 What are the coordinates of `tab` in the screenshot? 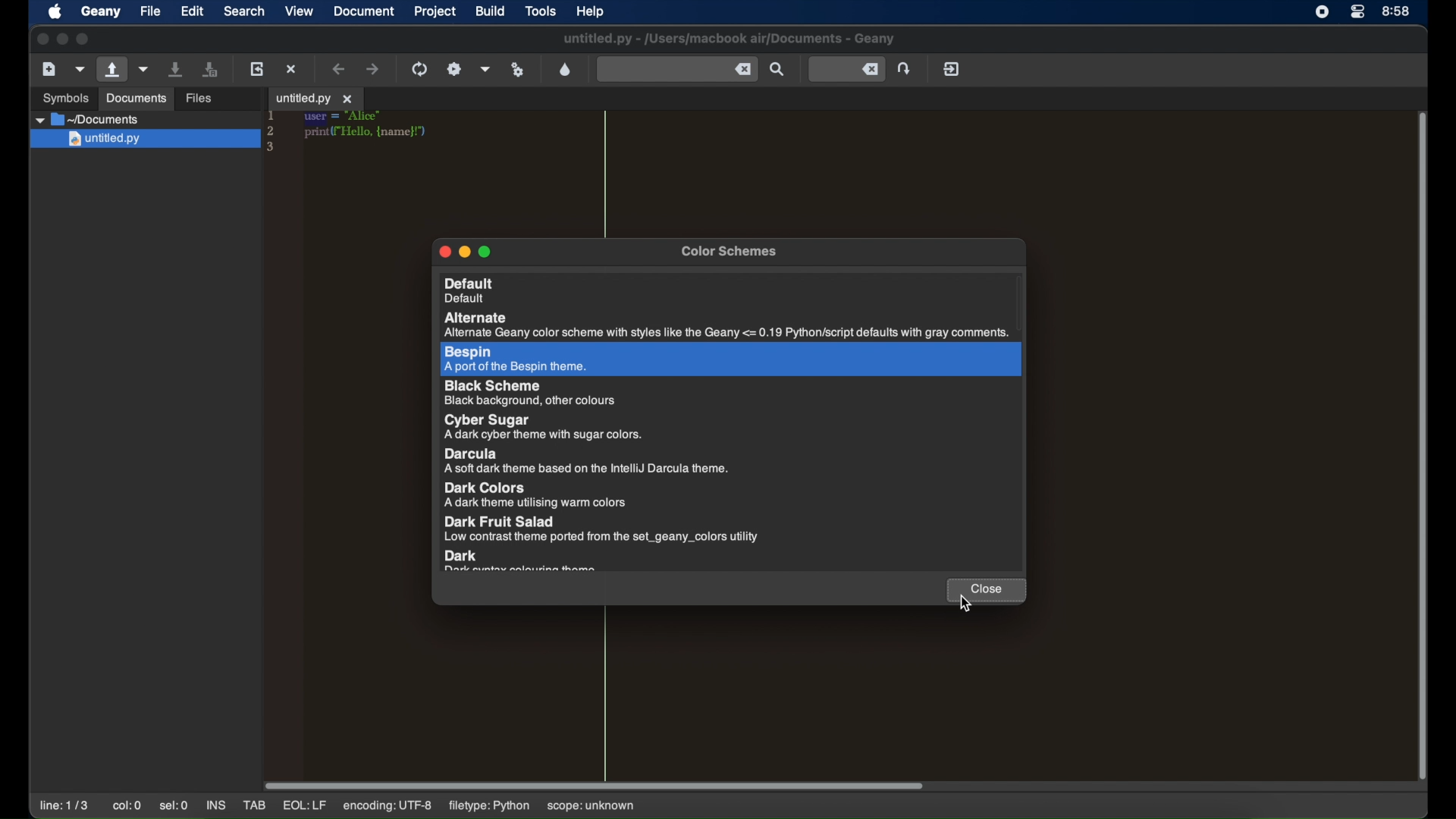 It's located at (256, 805).